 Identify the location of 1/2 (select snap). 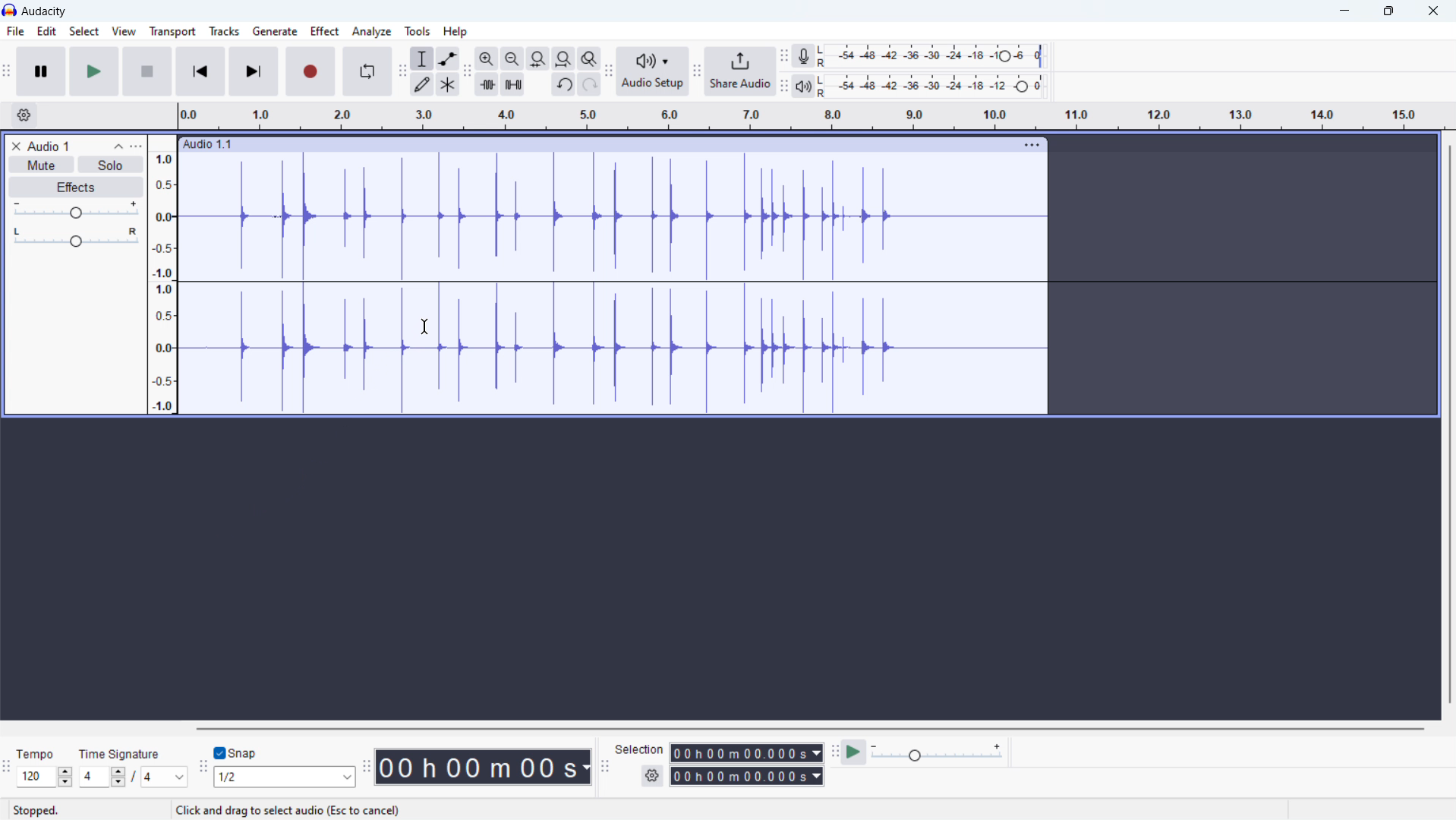
(285, 777).